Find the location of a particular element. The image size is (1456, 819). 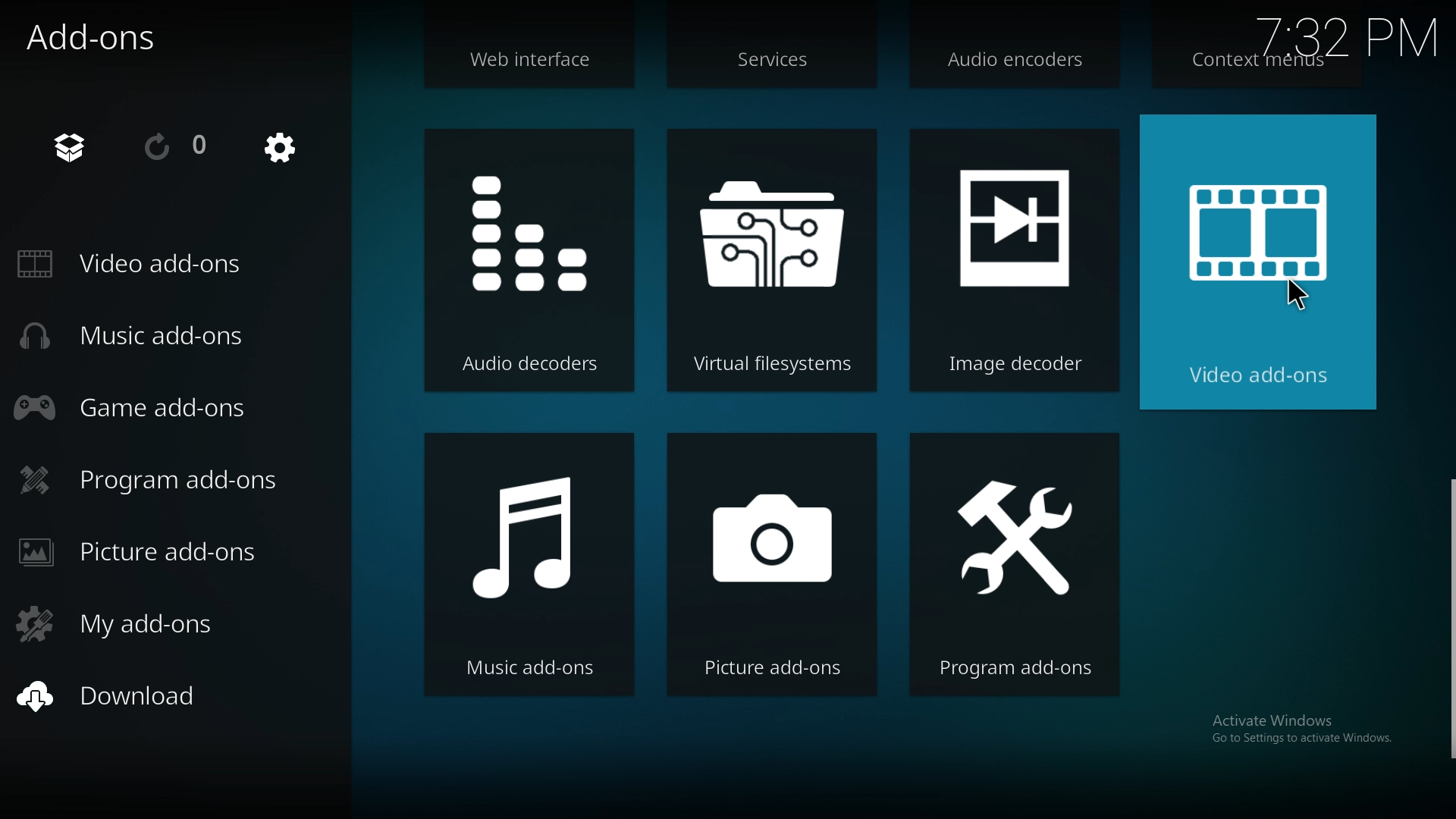

program add ons is located at coordinates (162, 480).